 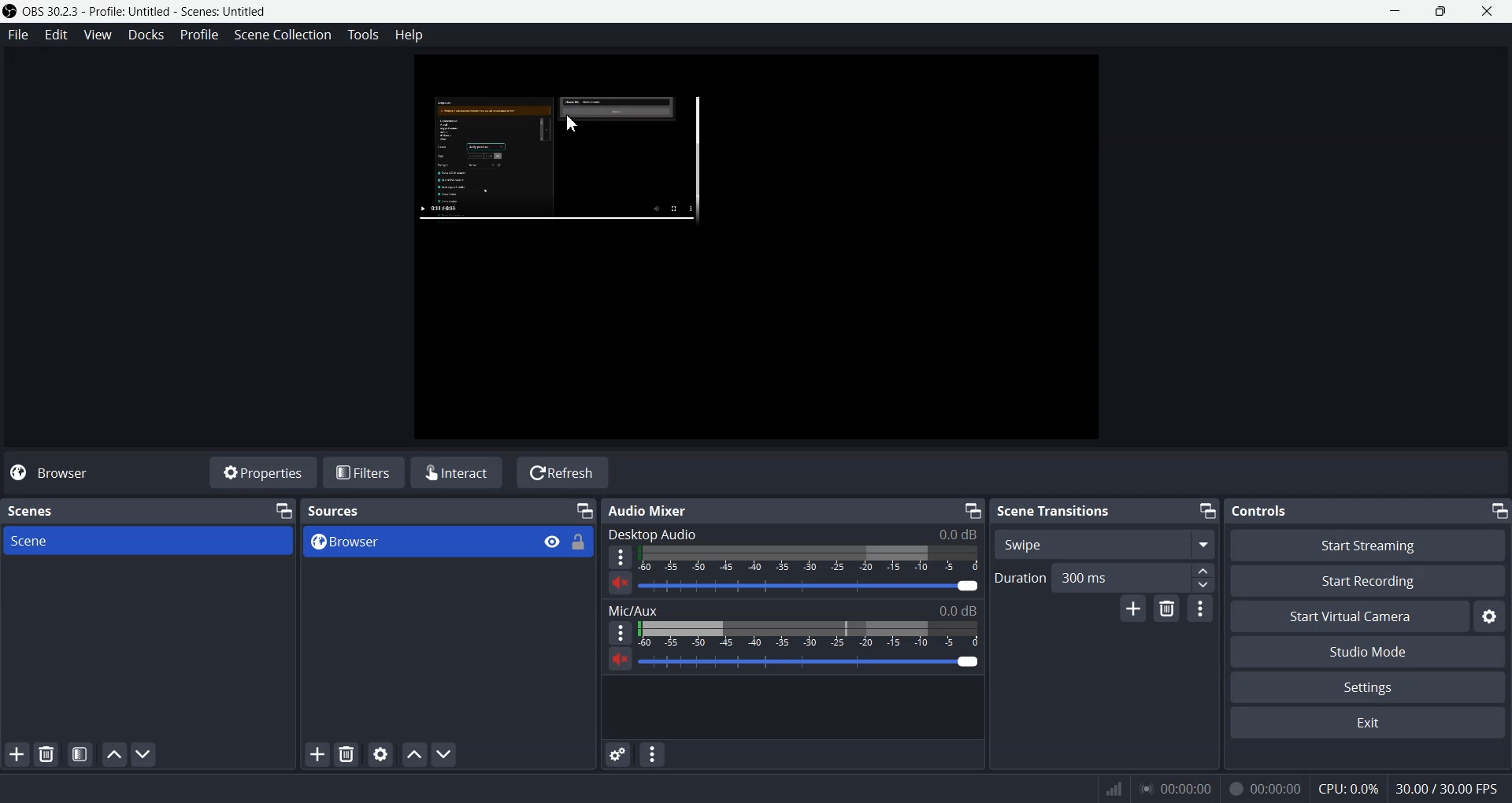 What do you see at coordinates (282, 35) in the screenshot?
I see `Scene Collection` at bounding box center [282, 35].